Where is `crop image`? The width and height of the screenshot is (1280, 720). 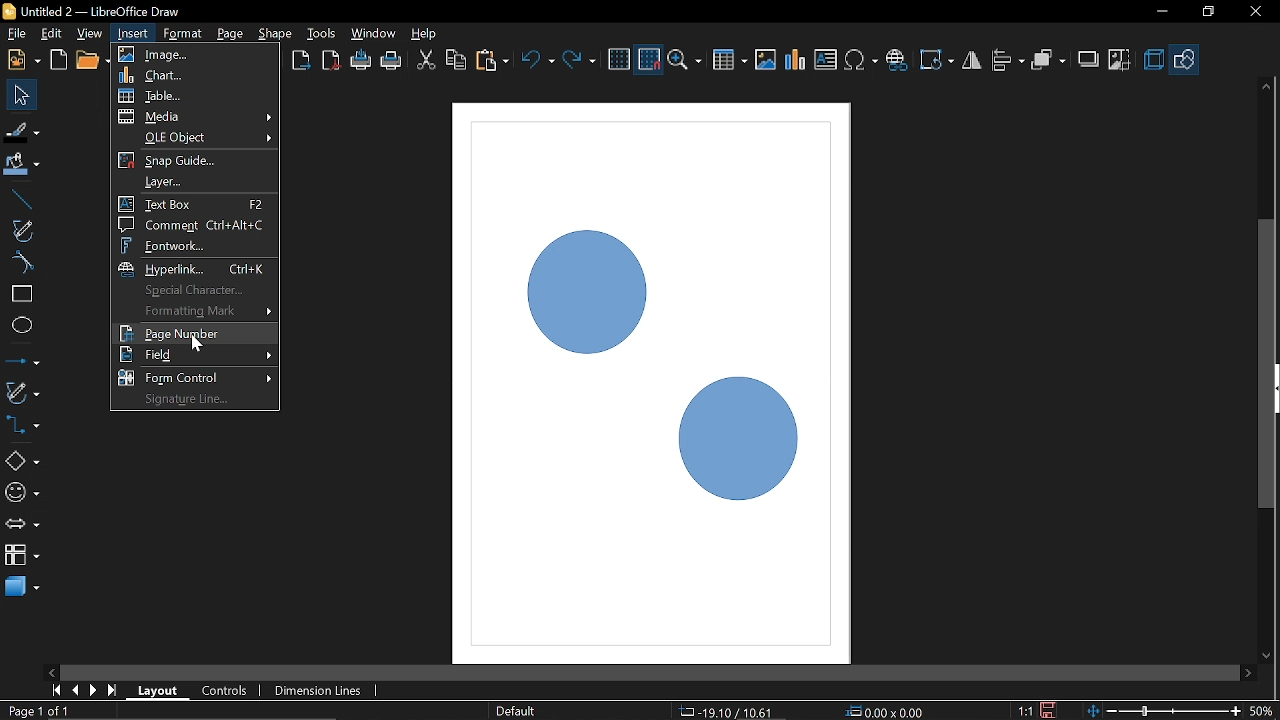 crop image is located at coordinates (1120, 61).